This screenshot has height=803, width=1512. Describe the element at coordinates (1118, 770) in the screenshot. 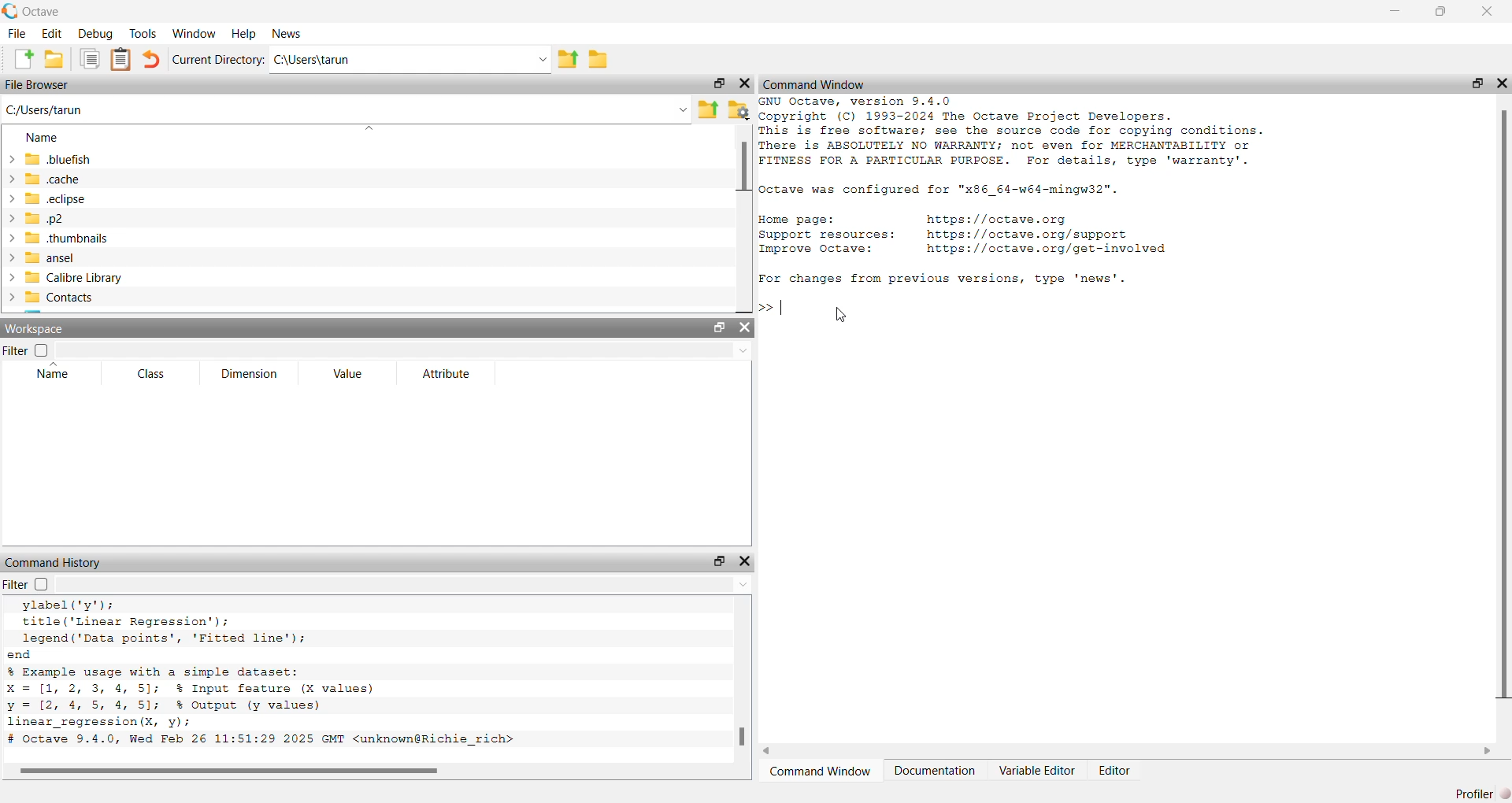

I see `editor` at that location.